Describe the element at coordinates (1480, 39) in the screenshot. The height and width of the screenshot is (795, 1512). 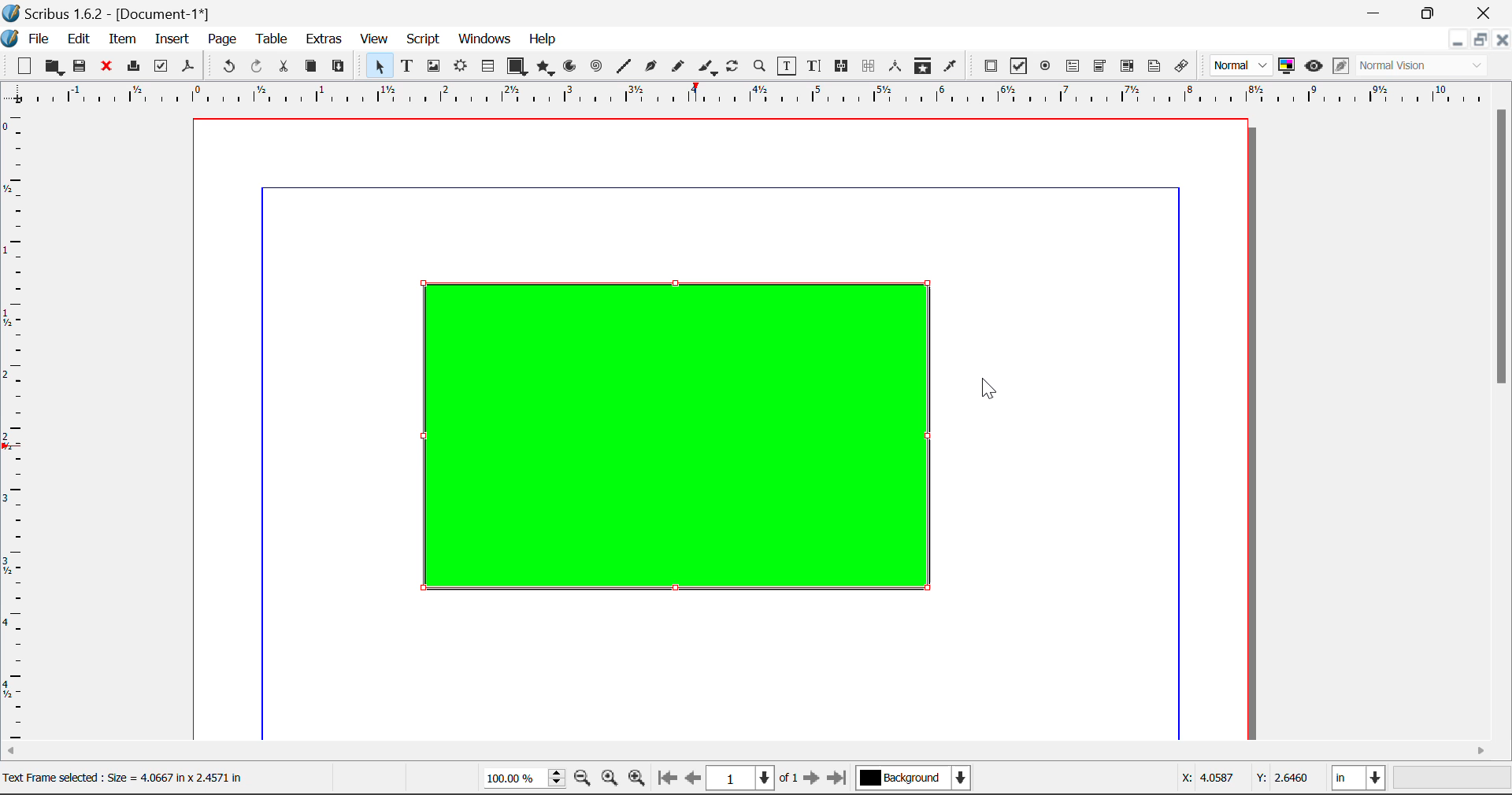
I see `Minimize` at that location.